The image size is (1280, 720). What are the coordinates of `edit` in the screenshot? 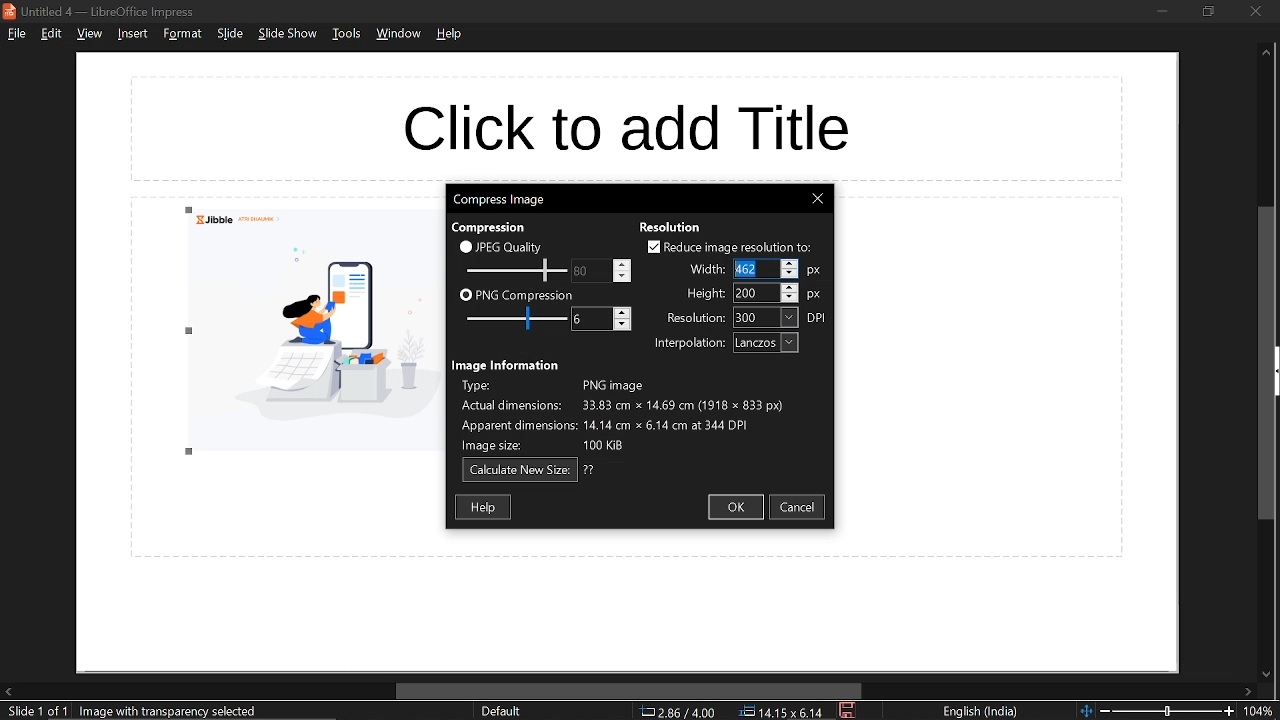 It's located at (53, 33).